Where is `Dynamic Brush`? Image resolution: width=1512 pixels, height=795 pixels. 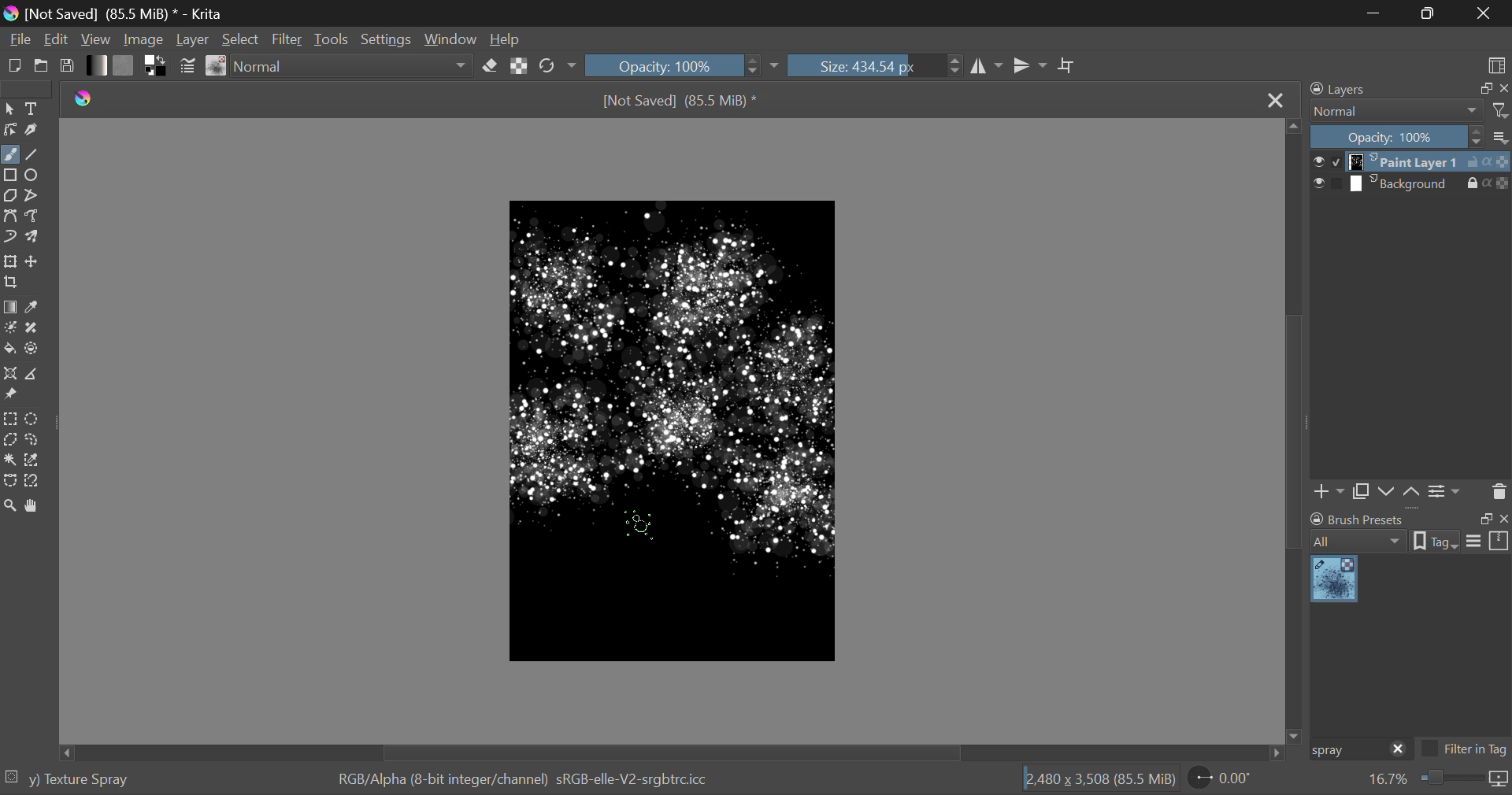 Dynamic Brush is located at coordinates (9, 235).